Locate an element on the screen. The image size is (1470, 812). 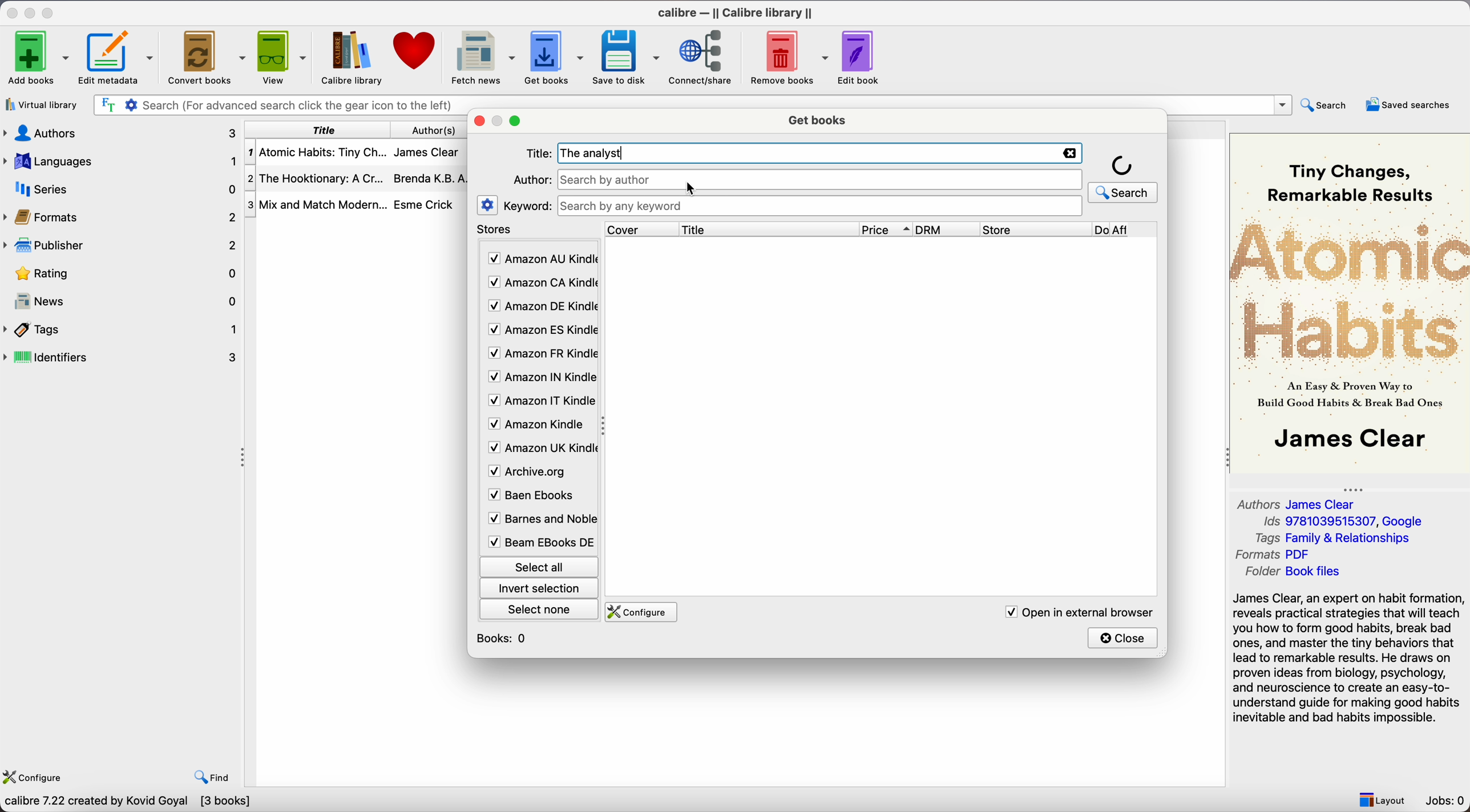
Calibre library is located at coordinates (349, 57).